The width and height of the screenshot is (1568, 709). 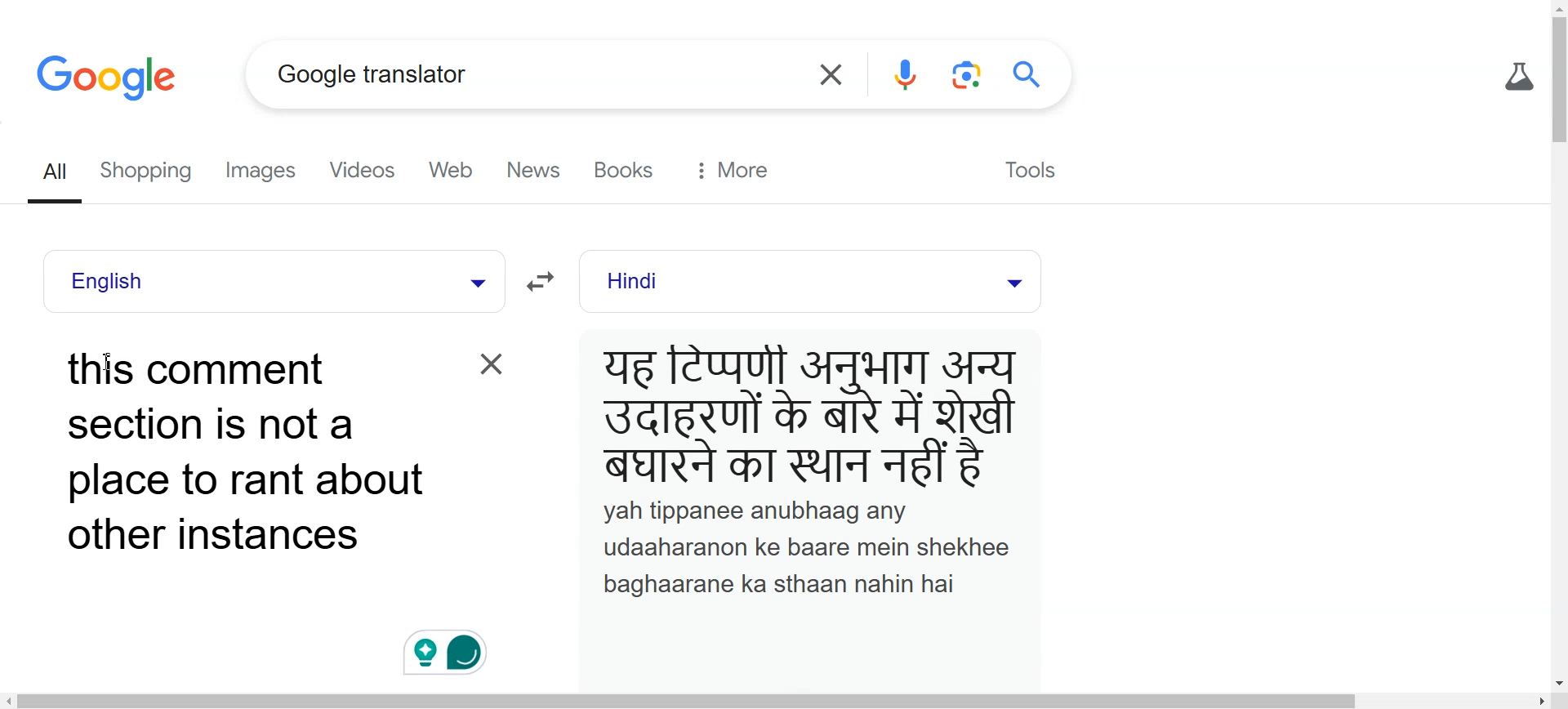 I want to click on Hindi, so click(x=777, y=282).